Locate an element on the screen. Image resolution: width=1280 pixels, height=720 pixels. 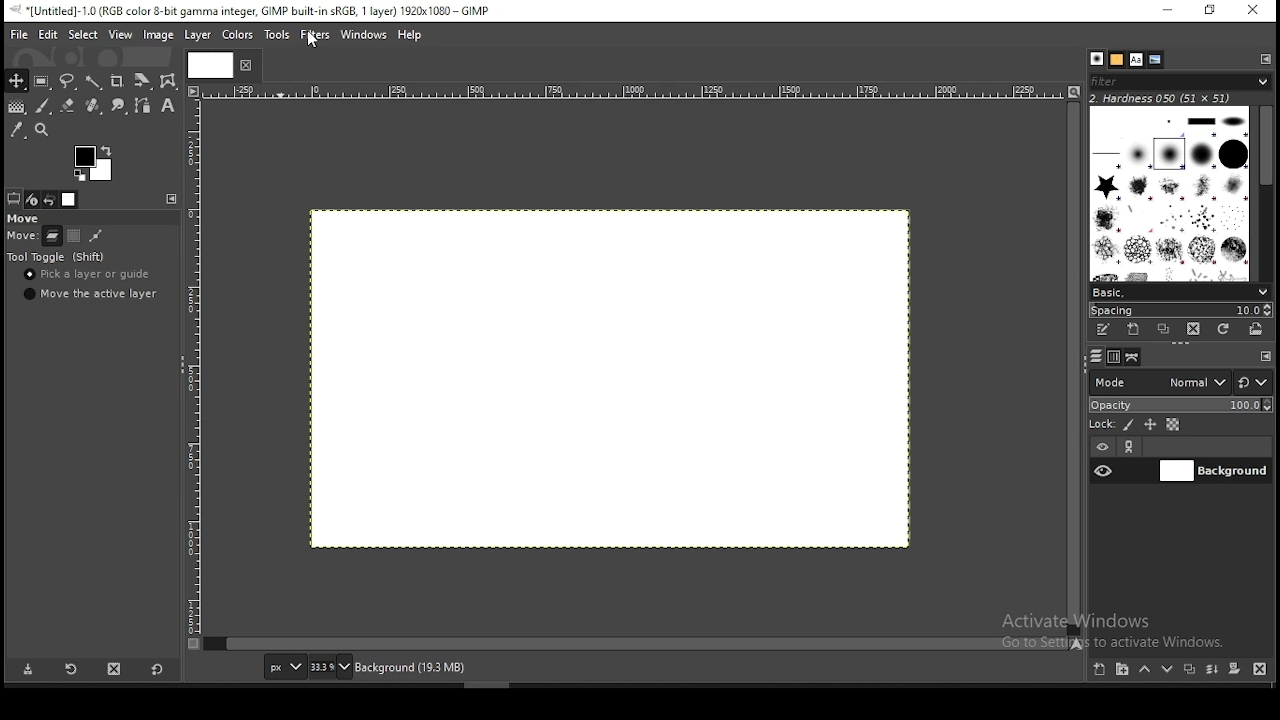
wrap transform is located at coordinates (168, 80).